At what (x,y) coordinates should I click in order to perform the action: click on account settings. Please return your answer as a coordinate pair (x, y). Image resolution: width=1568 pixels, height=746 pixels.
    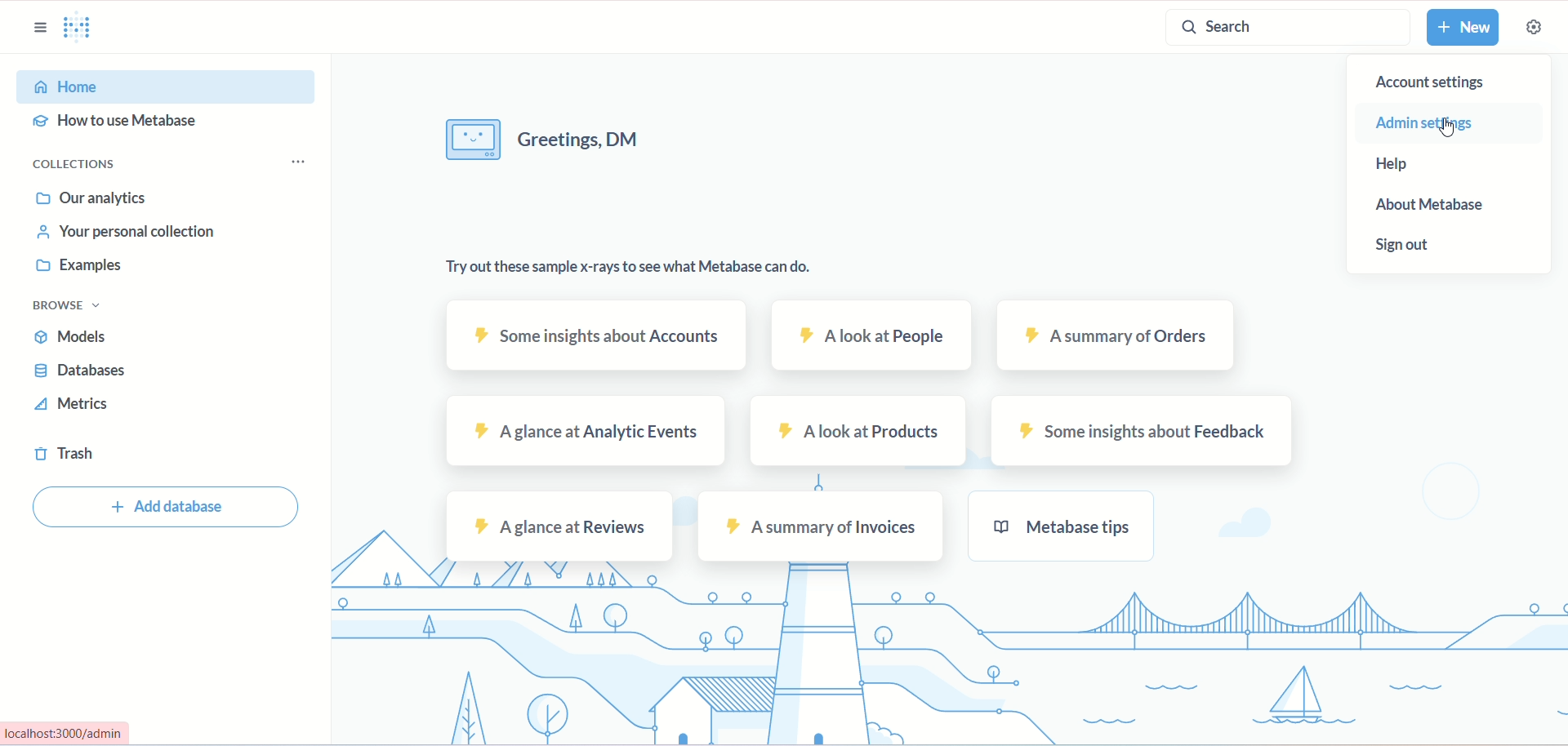
    Looking at the image, I should click on (1439, 79).